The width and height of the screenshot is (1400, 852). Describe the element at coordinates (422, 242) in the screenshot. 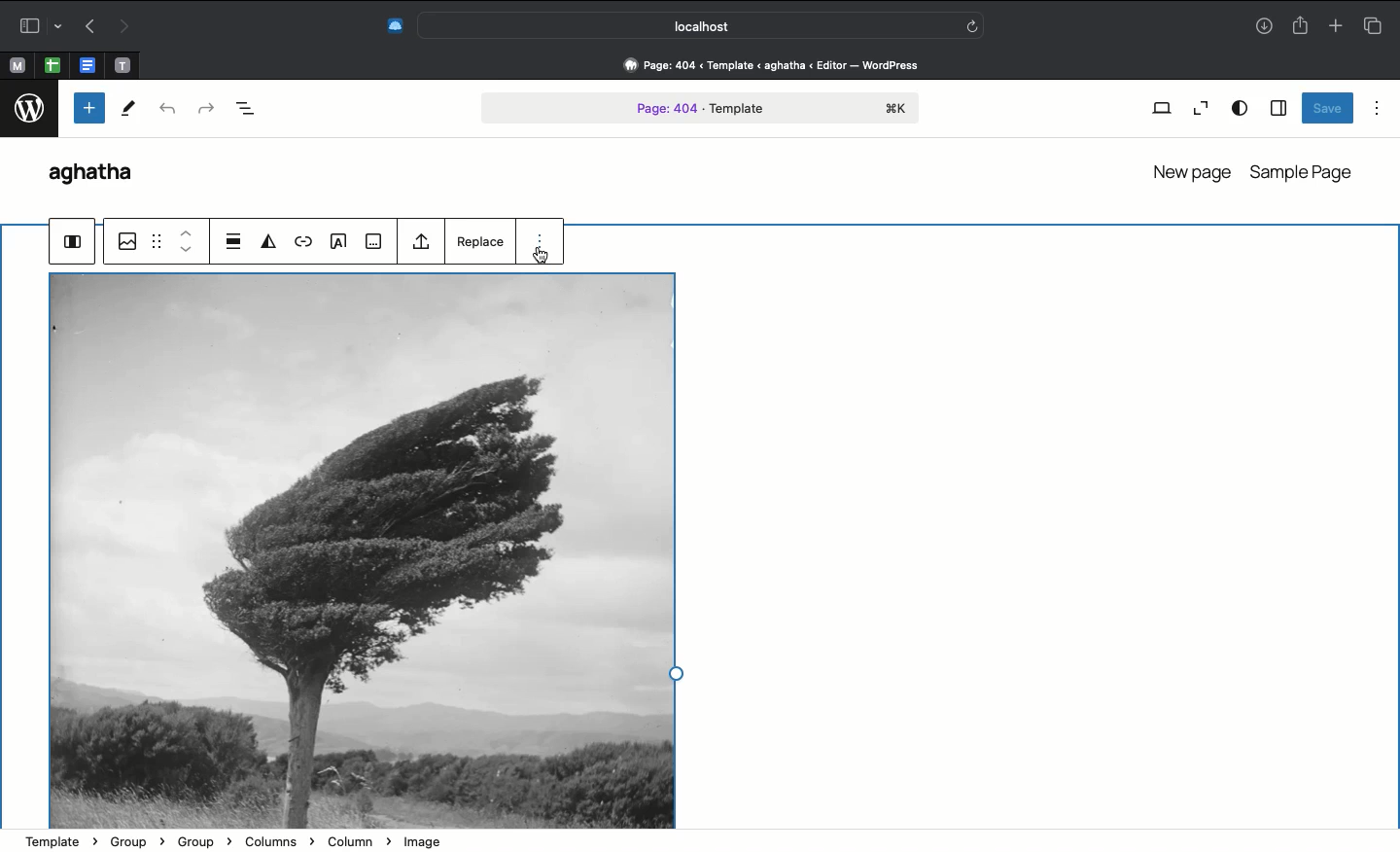

I see `Upload` at that location.